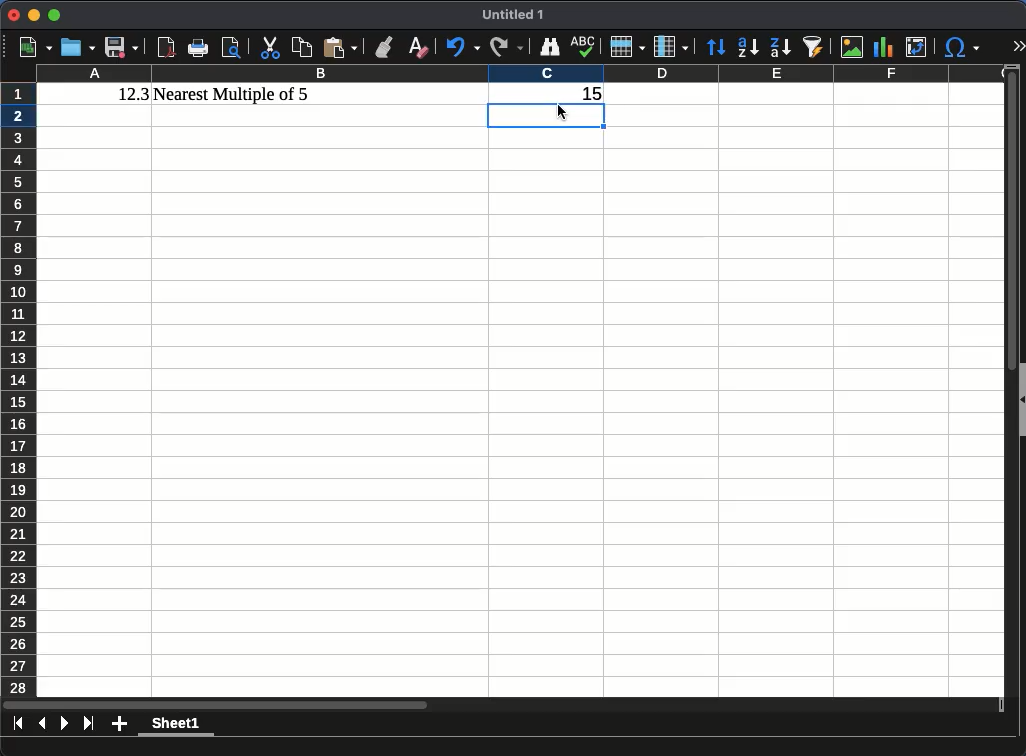 The image size is (1026, 756). I want to click on chart, so click(882, 47).